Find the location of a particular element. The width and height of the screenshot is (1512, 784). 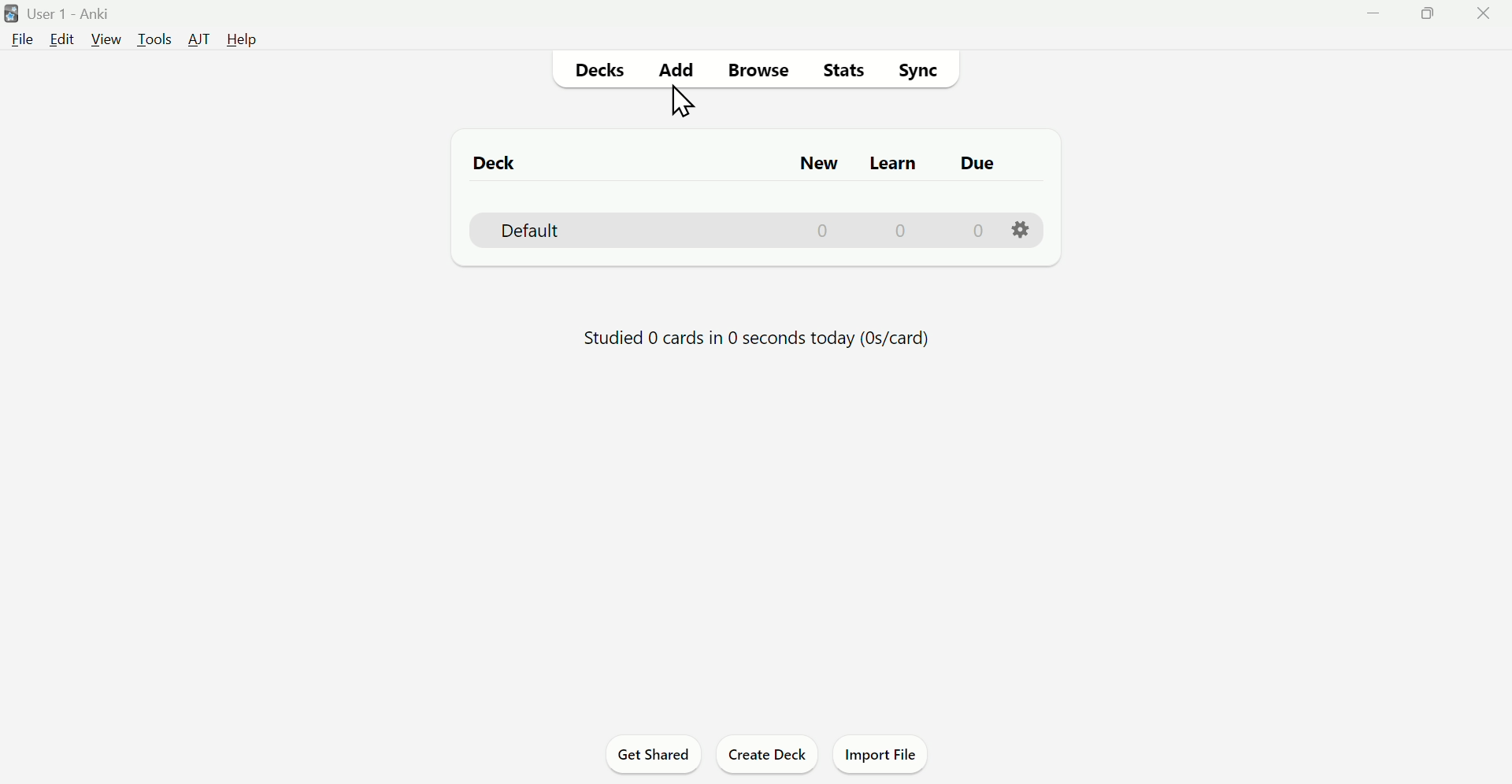

Browse is located at coordinates (758, 73).